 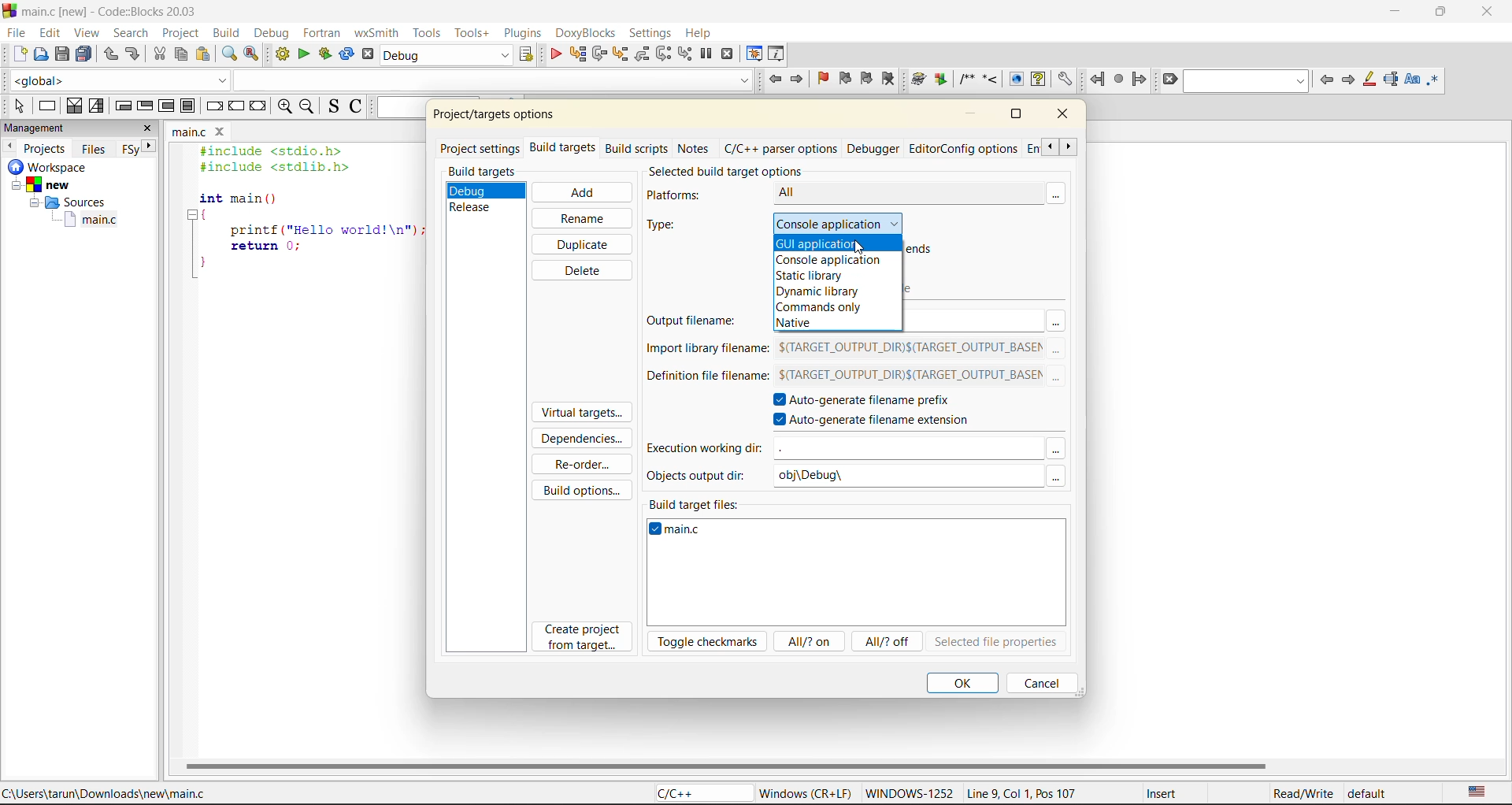 What do you see at coordinates (326, 54) in the screenshot?
I see `build and run` at bounding box center [326, 54].